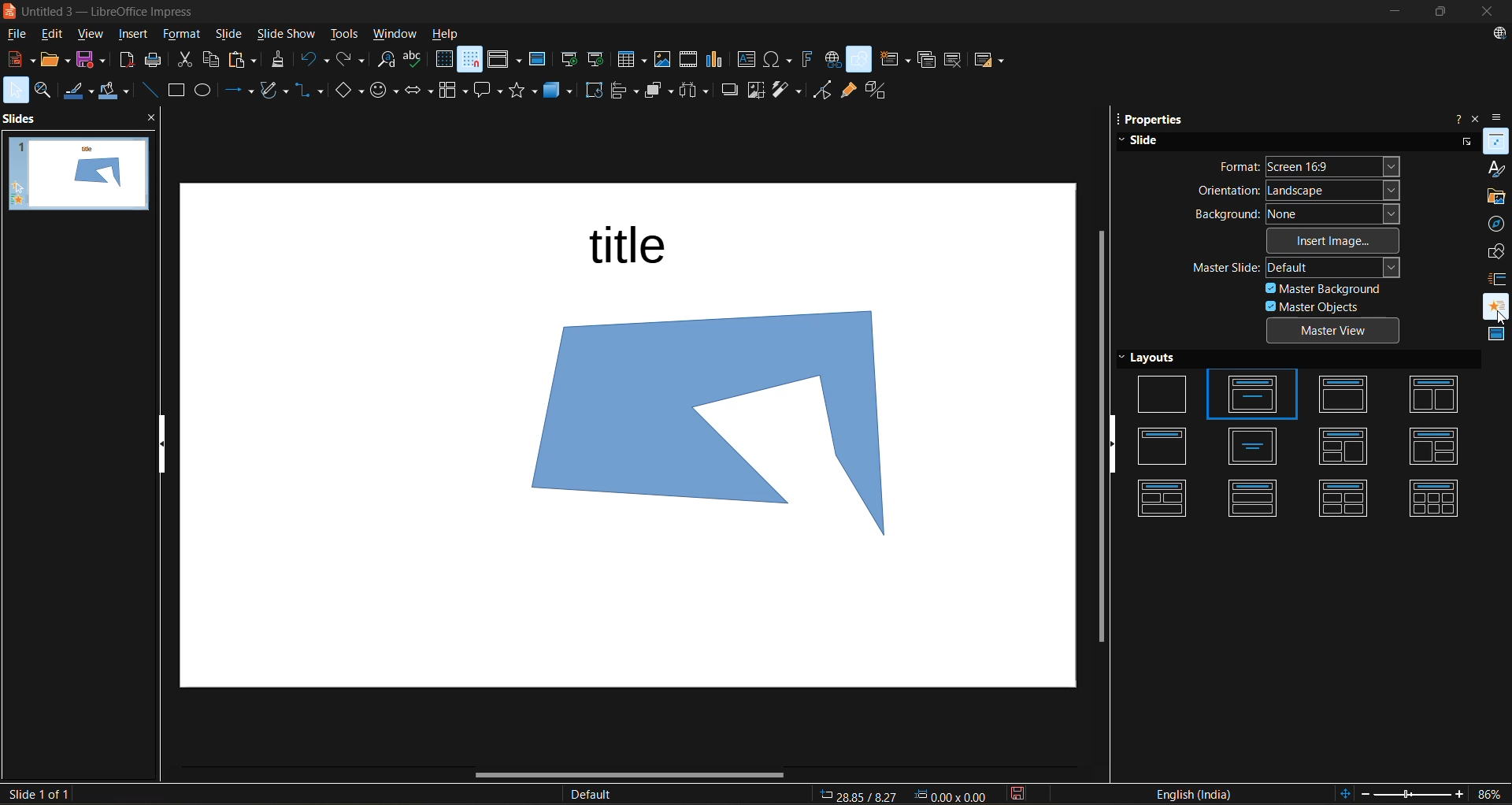 The height and width of the screenshot is (805, 1512). What do you see at coordinates (1454, 117) in the screenshot?
I see `help about this sidebar` at bounding box center [1454, 117].